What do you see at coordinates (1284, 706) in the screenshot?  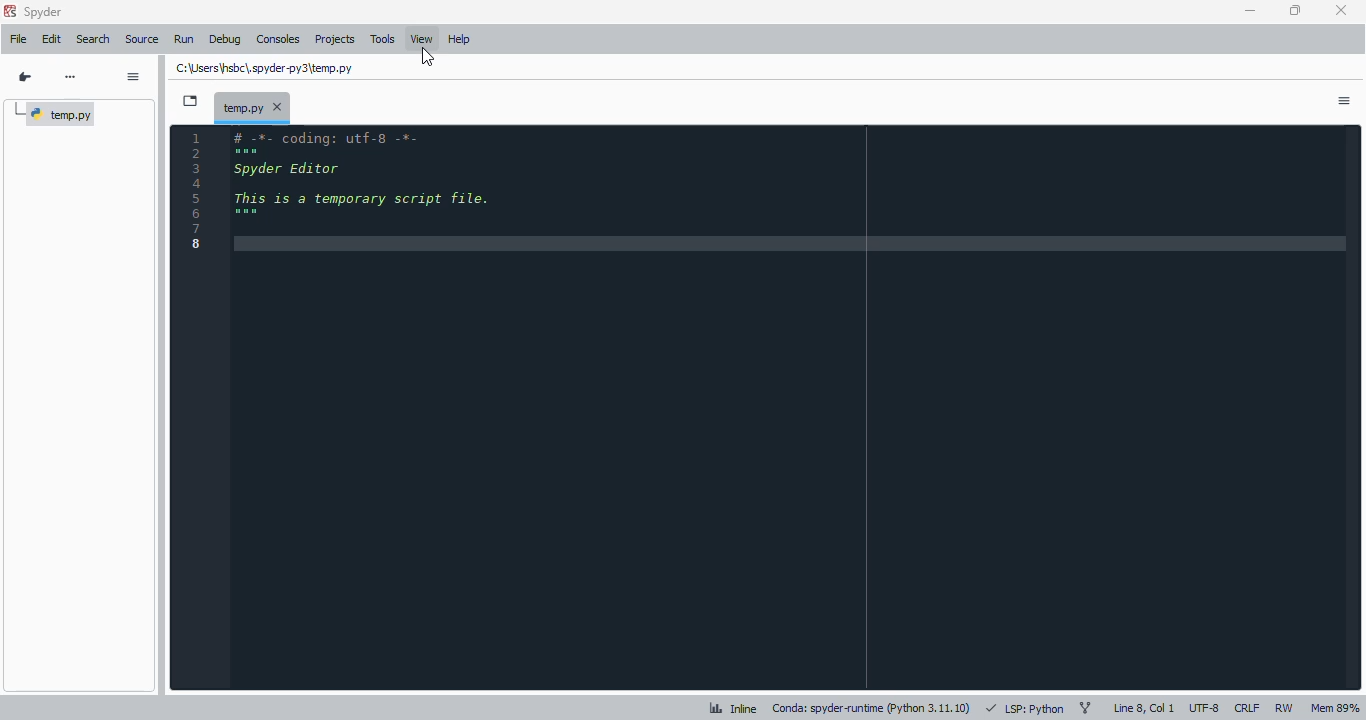 I see `RW` at bounding box center [1284, 706].